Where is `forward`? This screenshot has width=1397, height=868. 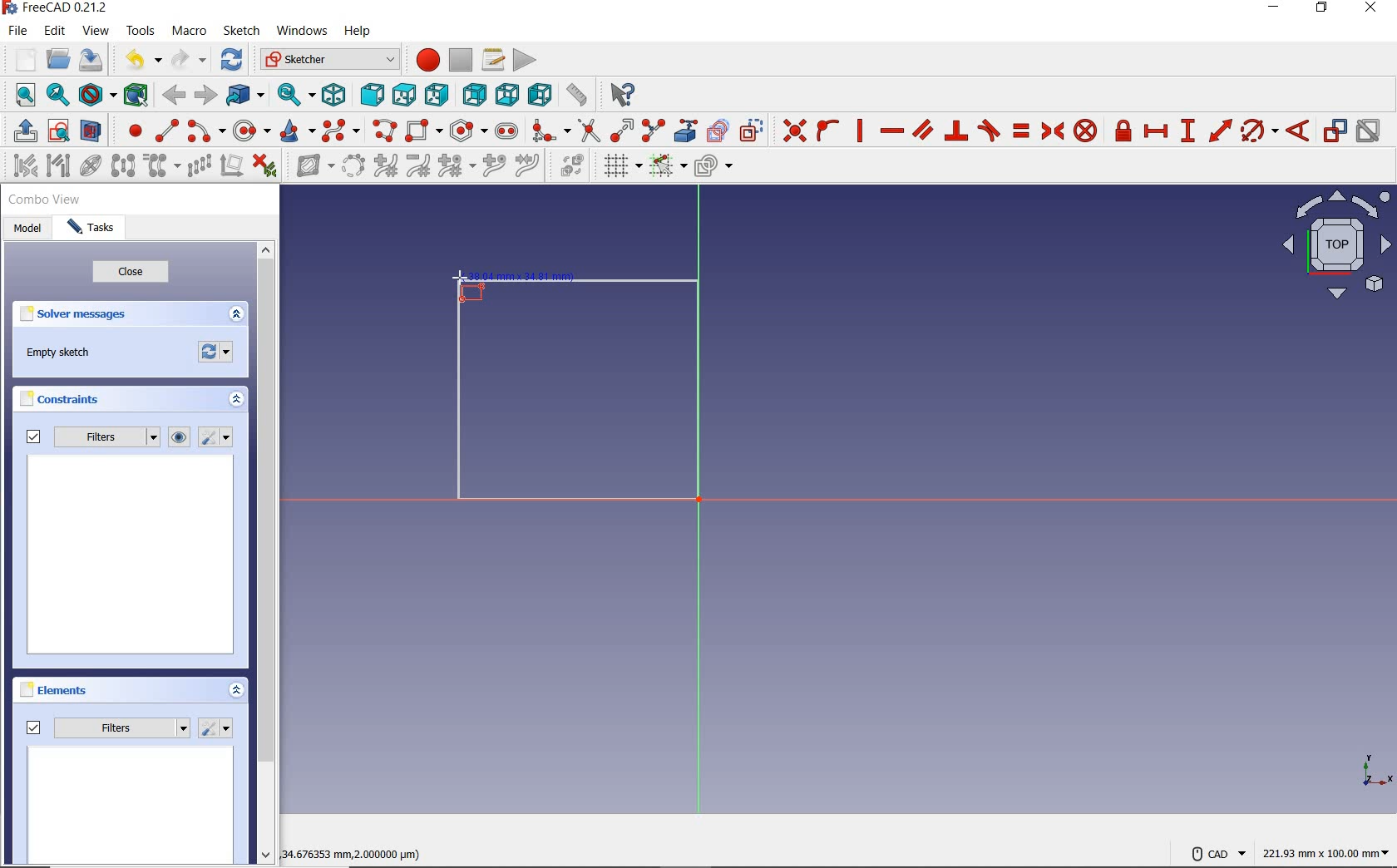
forward is located at coordinates (204, 94).